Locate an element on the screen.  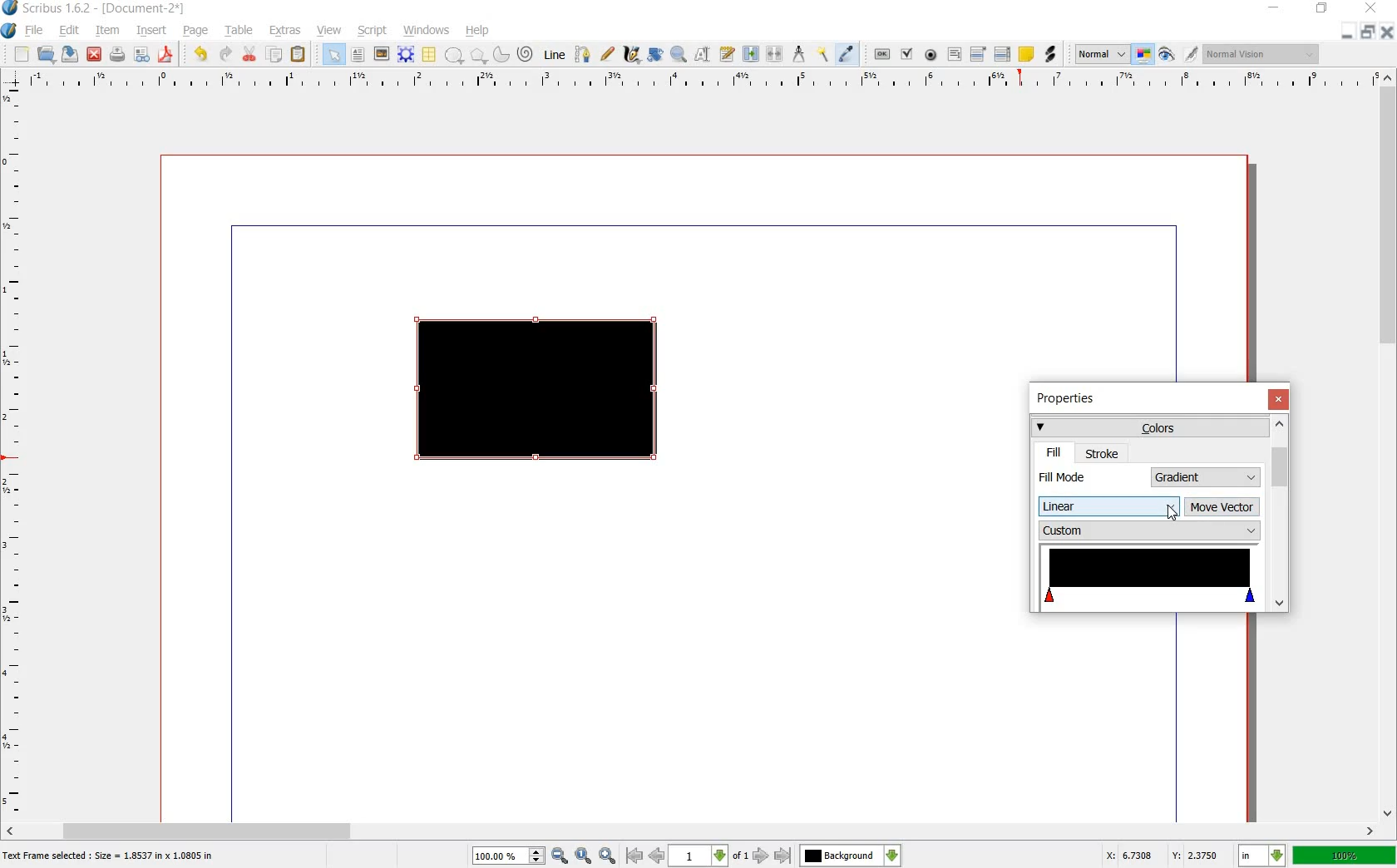
system logo is located at coordinates (8, 31).